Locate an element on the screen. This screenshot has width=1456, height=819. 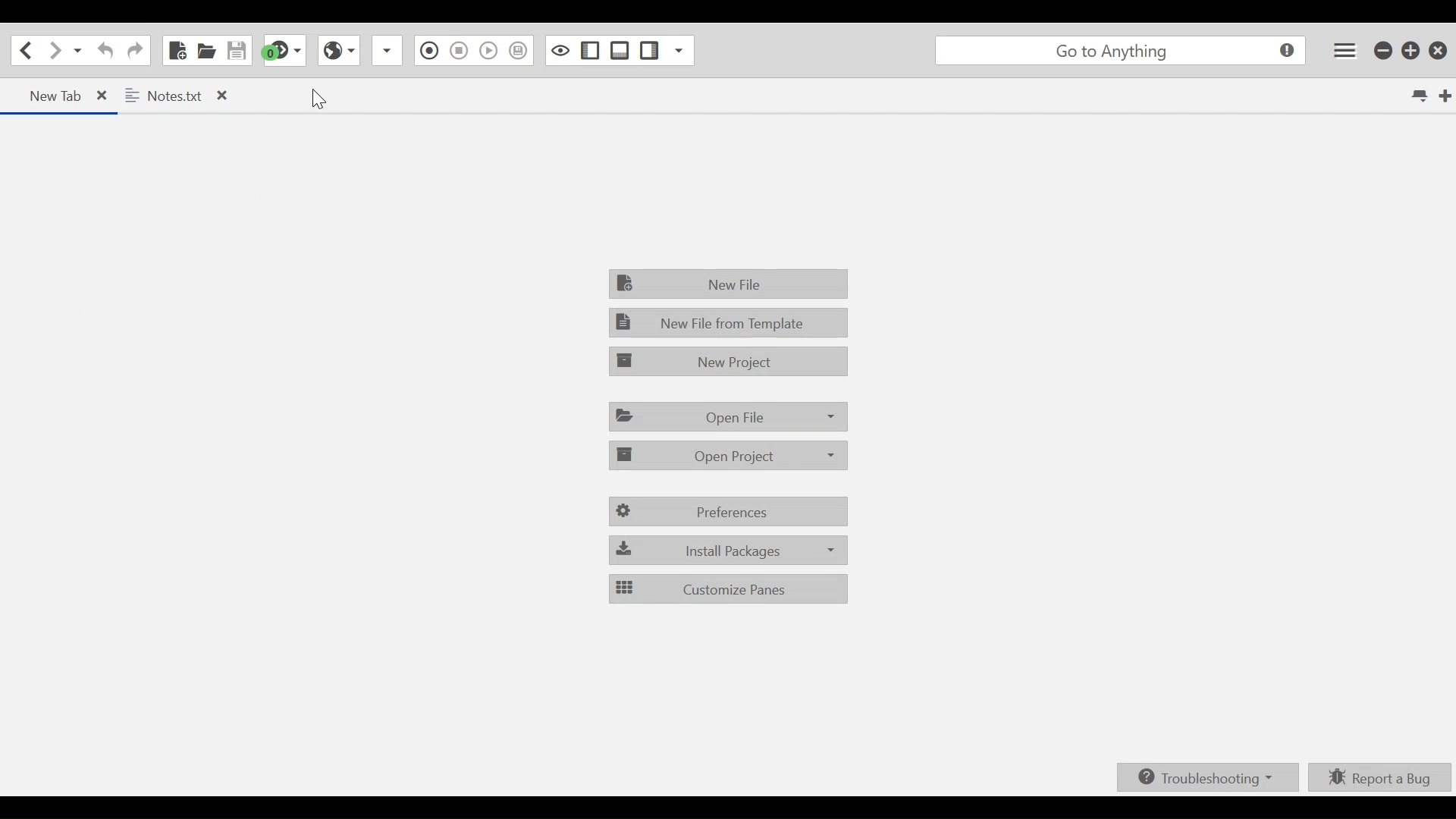
Show/Hide Bottom Pane is located at coordinates (650, 52).